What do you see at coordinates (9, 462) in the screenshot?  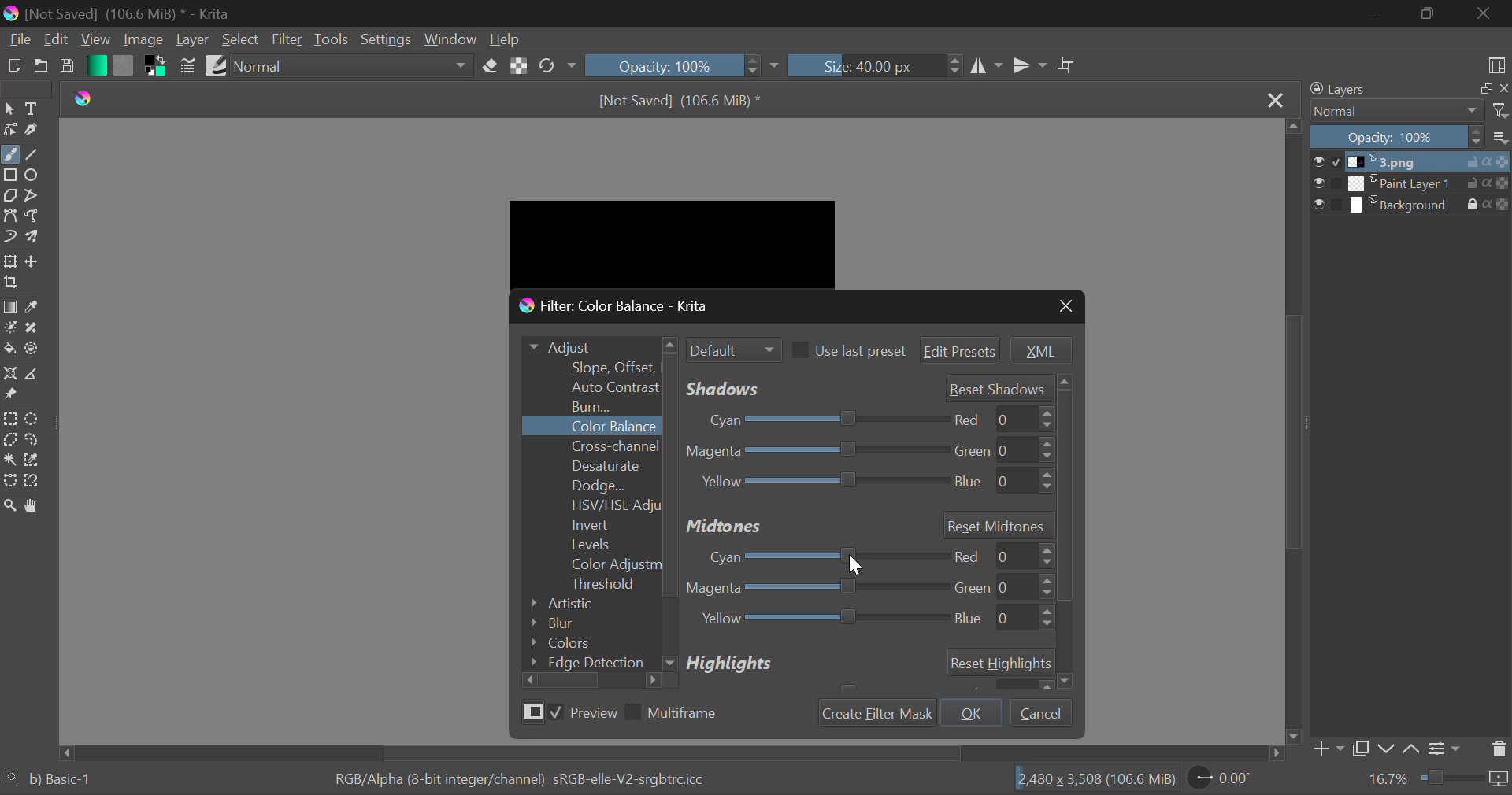 I see `Continuous Selection` at bounding box center [9, 462].